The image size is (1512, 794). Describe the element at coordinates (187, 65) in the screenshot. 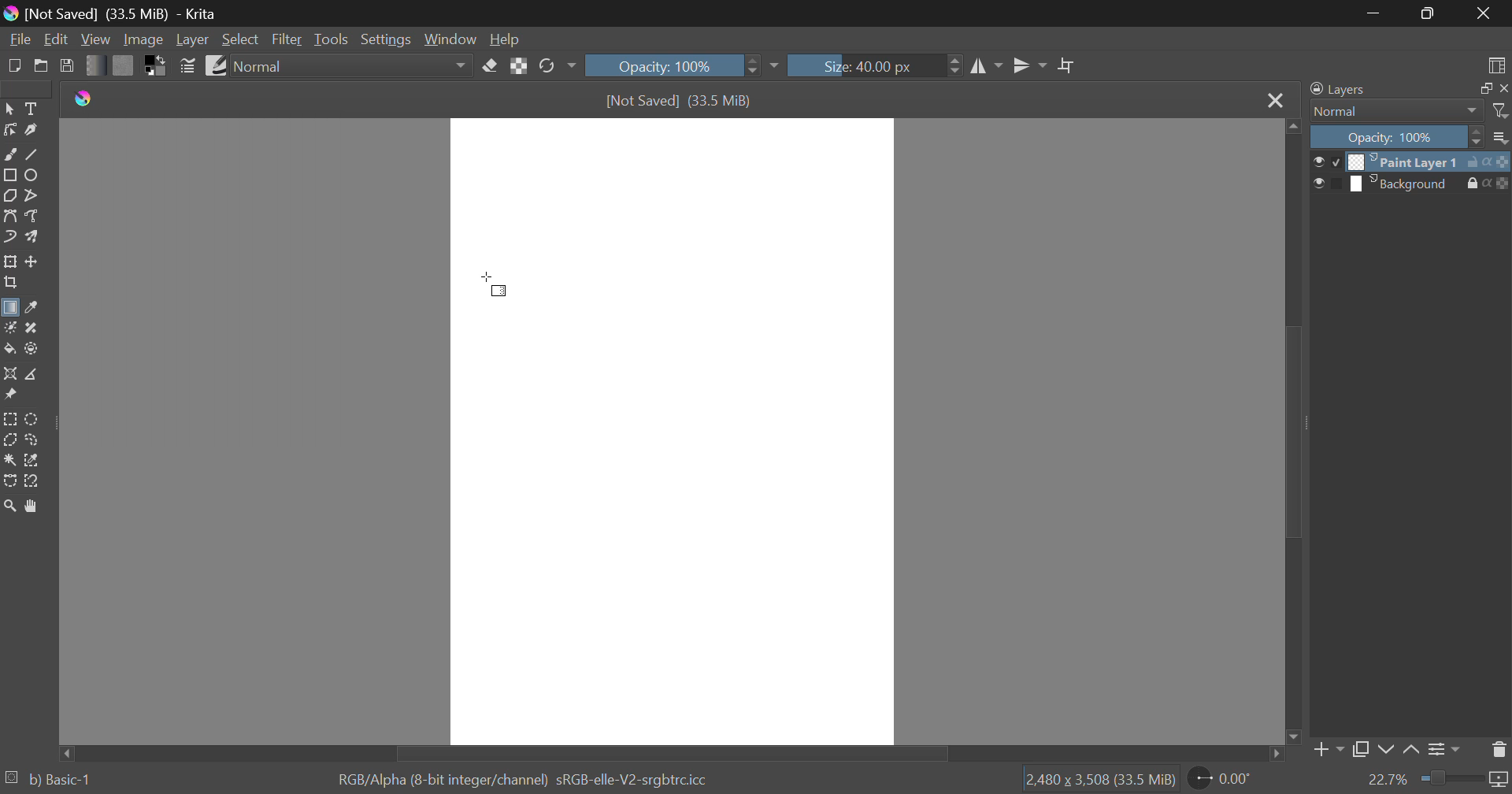

I see `Brush Settings` at that location.